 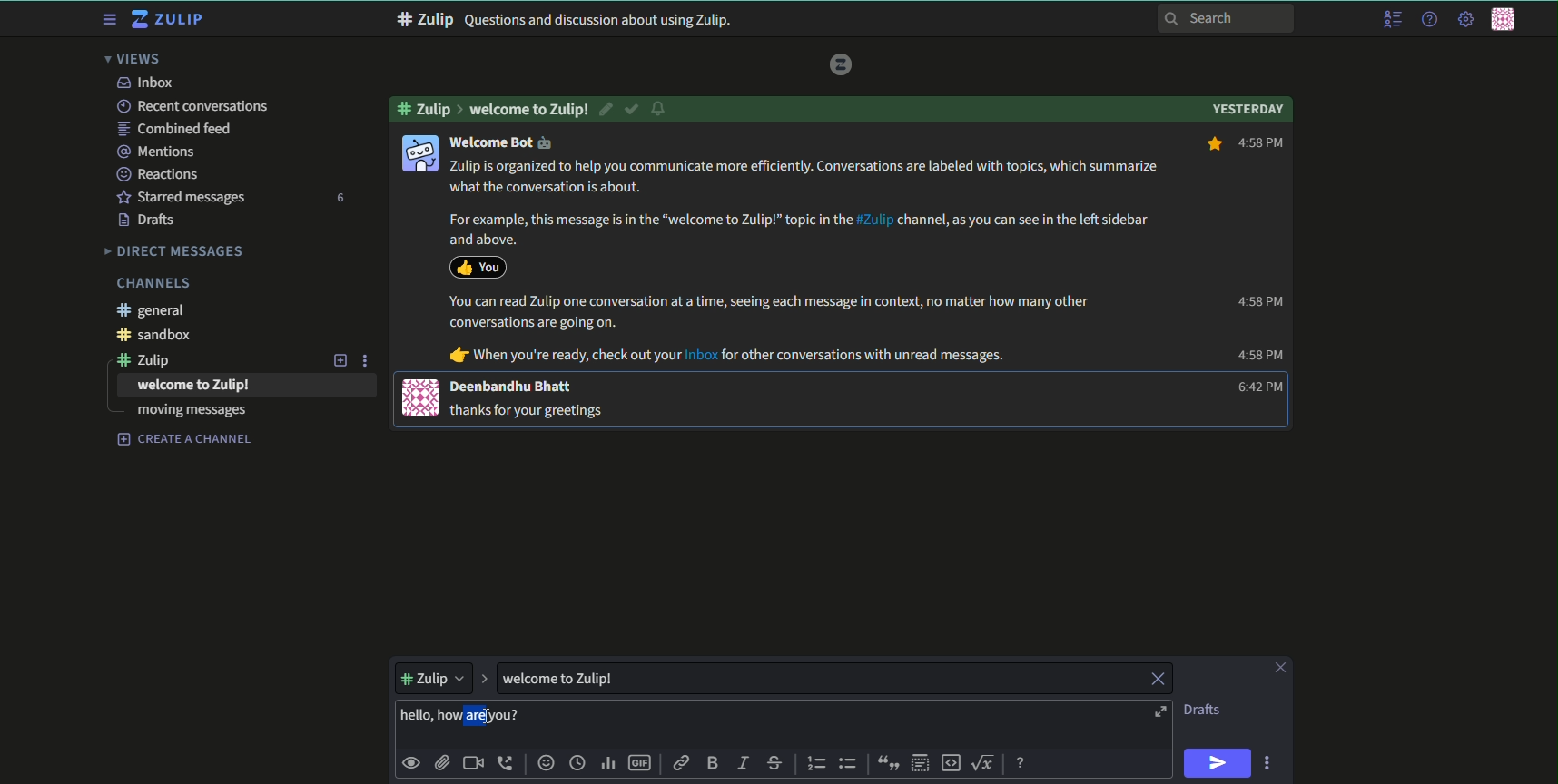 I want to click on add video call, so click(x=473, y=763).